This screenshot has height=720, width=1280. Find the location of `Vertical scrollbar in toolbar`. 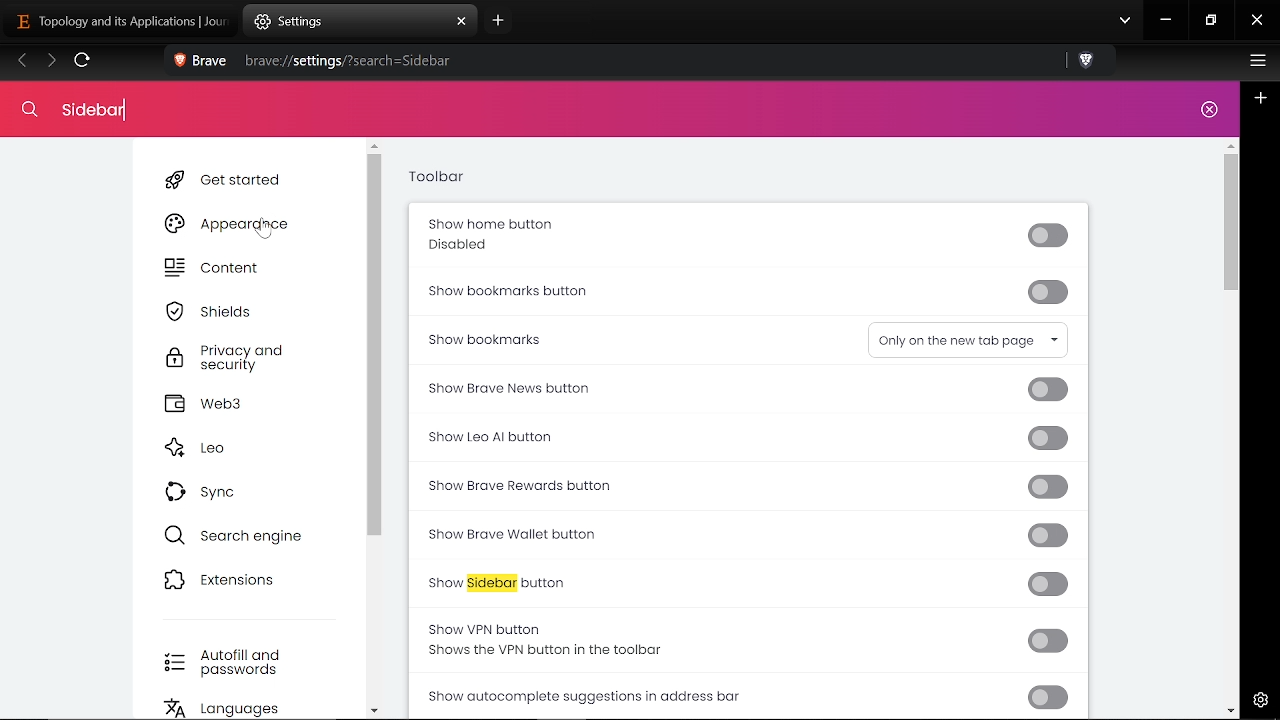

Vertical scrollbar in toolbar is located at coordinates (1230, 224).